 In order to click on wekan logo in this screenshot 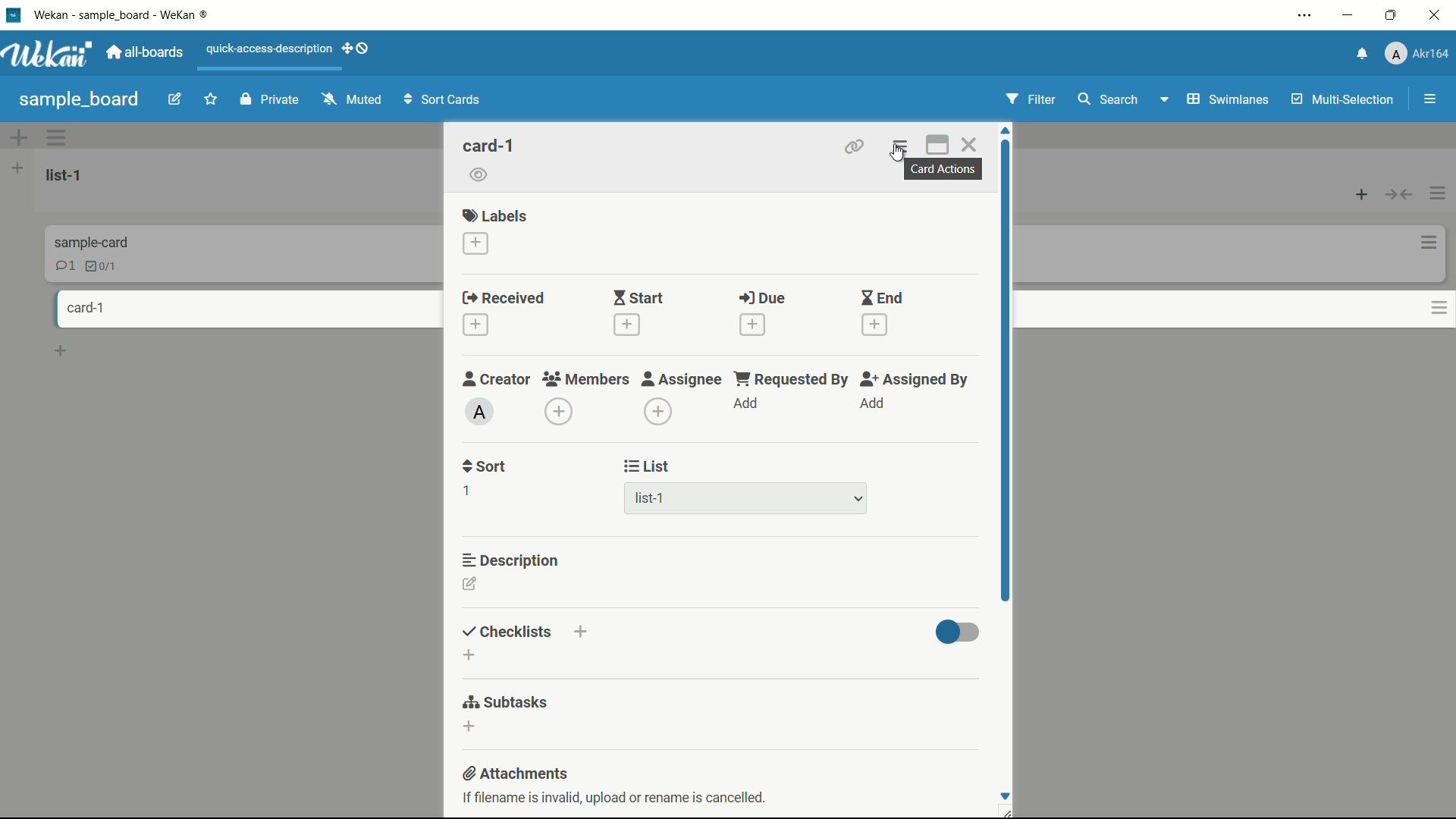, I will do `click(14, 16)`.